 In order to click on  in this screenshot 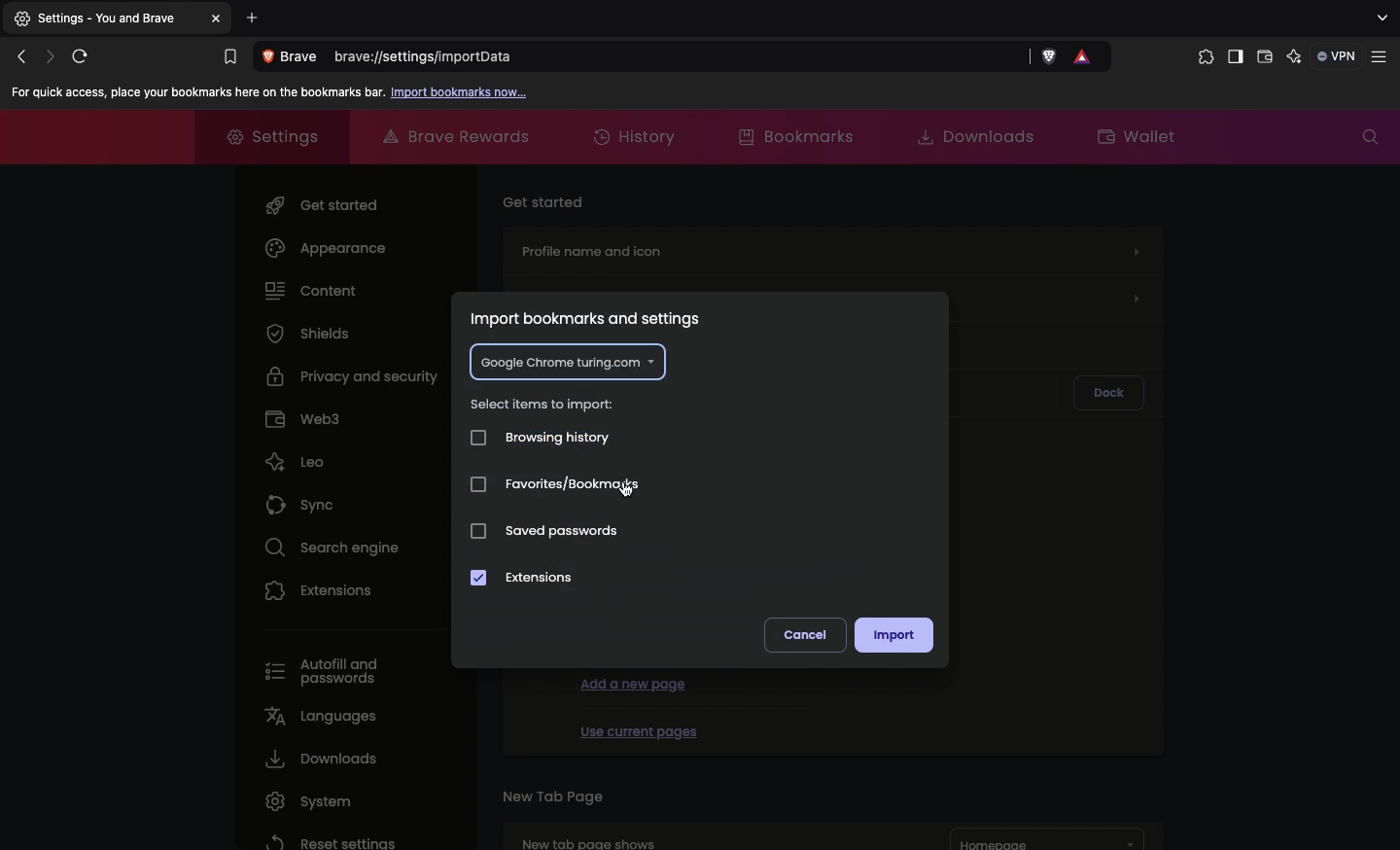, I will do `click(219, 18)`.